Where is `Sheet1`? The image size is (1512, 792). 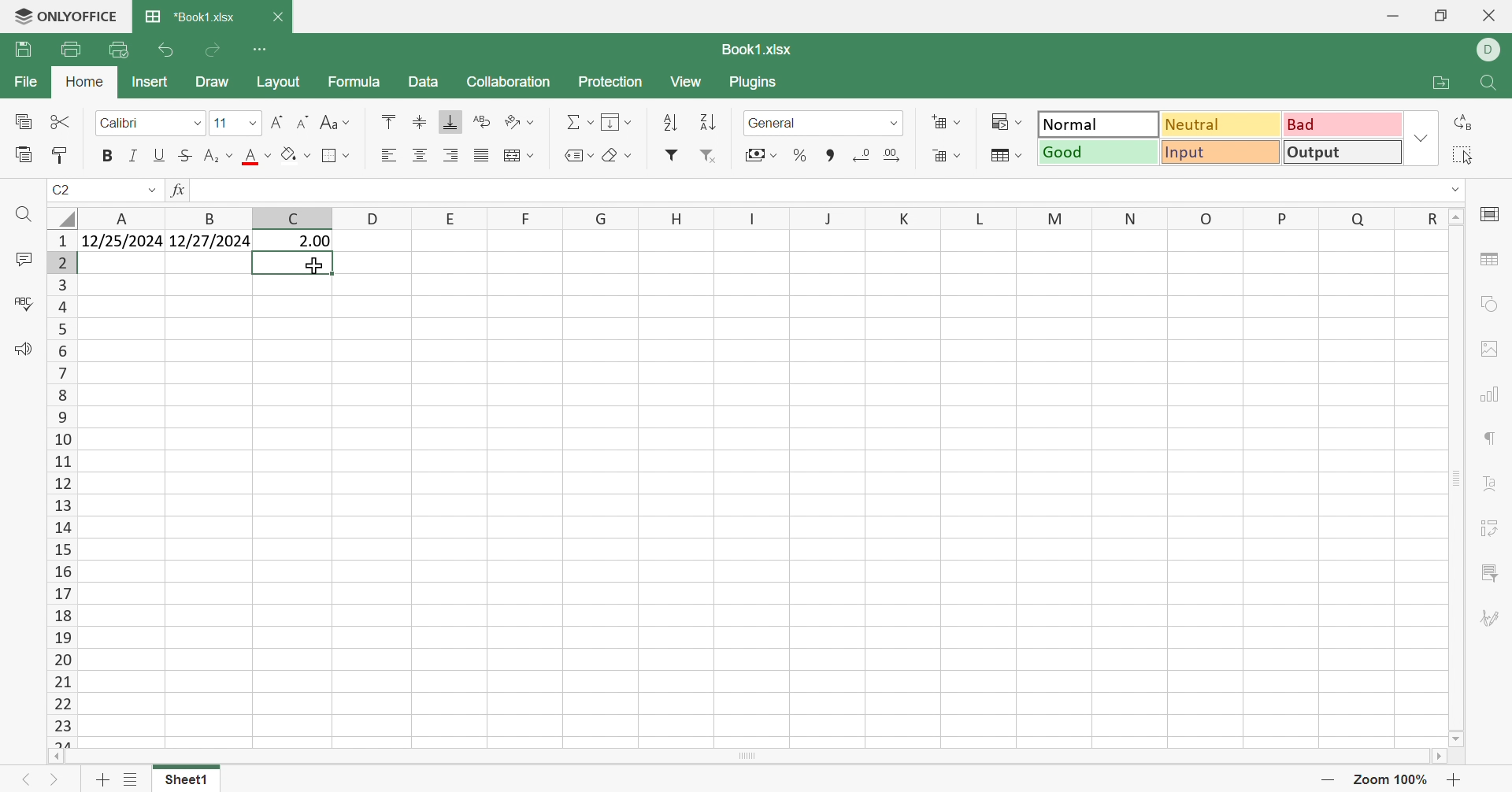
Sheet1 is located at coordinates (181, 781).